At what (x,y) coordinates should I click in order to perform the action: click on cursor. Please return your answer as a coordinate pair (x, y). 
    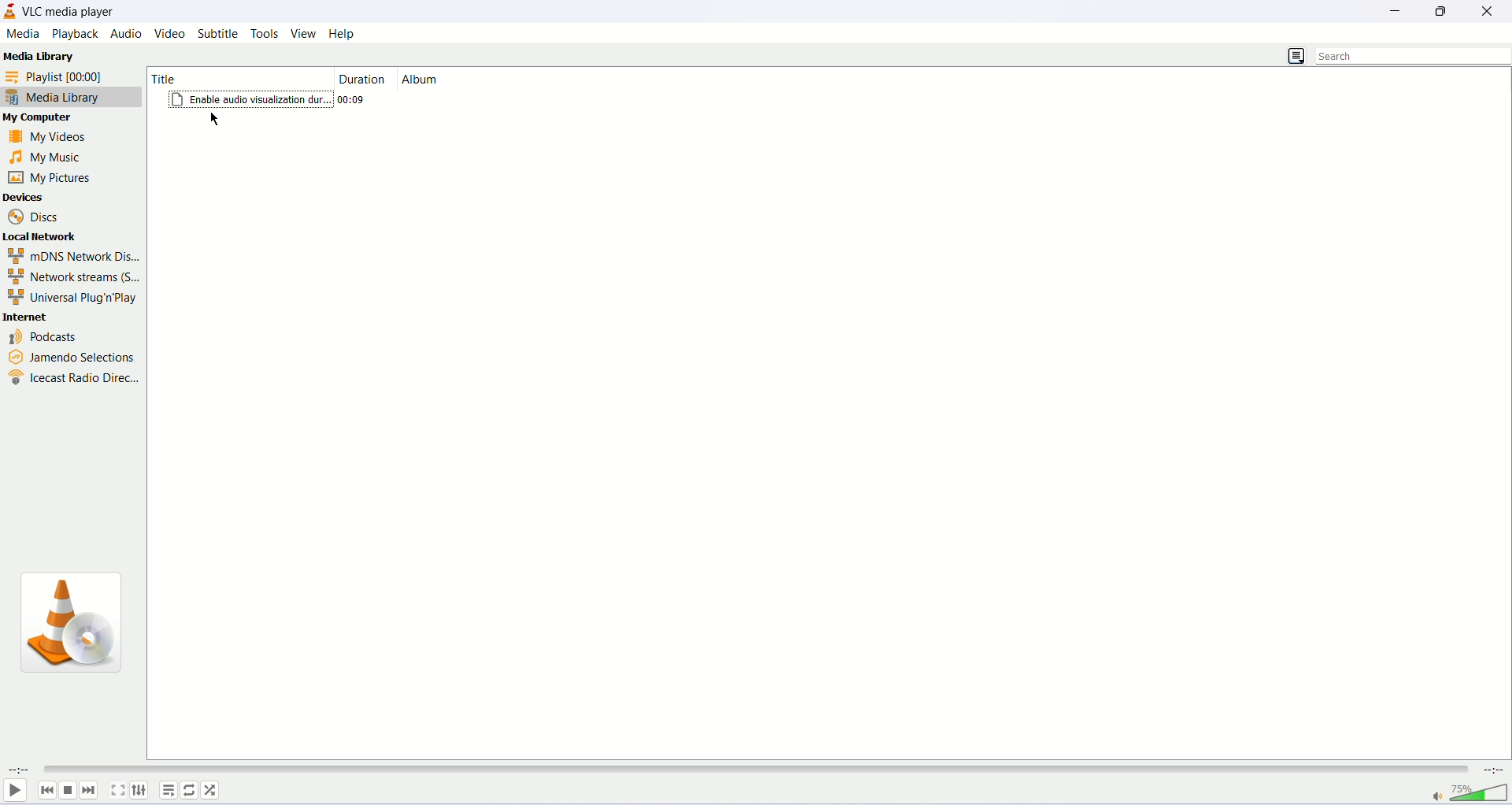
    Looking at the image, I should click on (221, 124).